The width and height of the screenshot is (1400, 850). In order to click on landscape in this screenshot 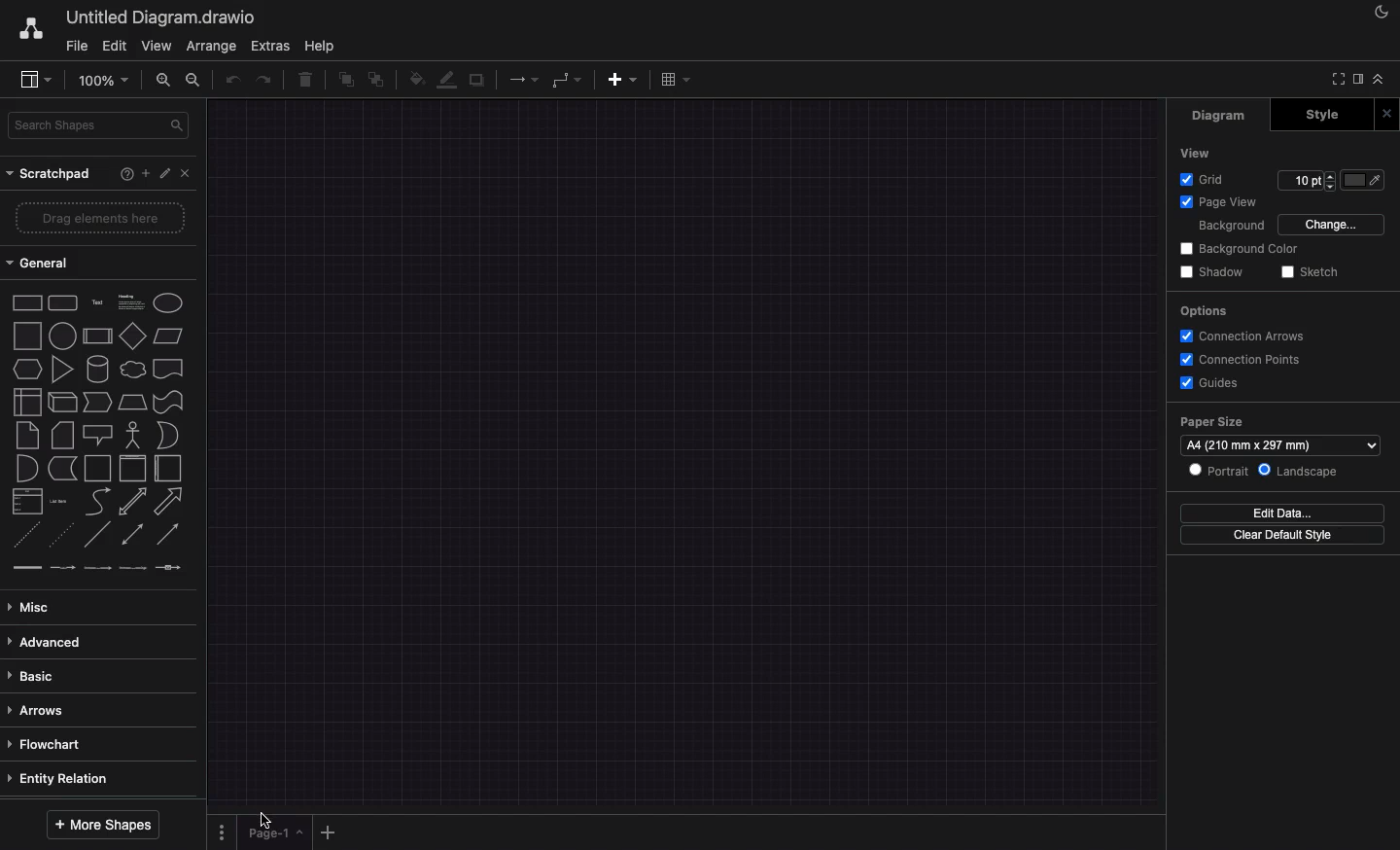, I will do `click(1298, 472)`.